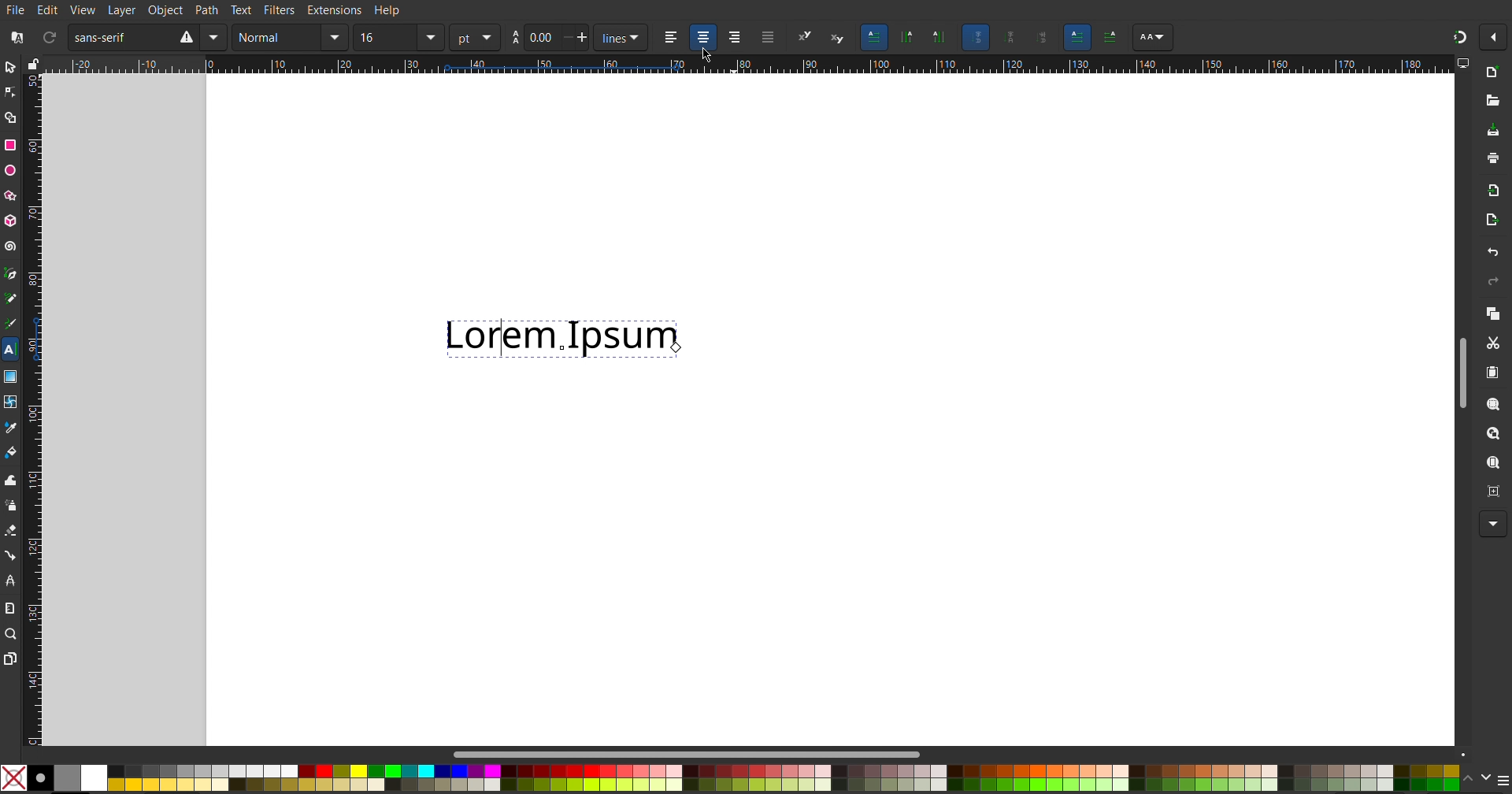 This screenshot has width=1512, height=794. What do you see at coordinates (1014, 37) in the screenshot?
I see `Upright glpyh annotation` at bounding box center [1014, 37].